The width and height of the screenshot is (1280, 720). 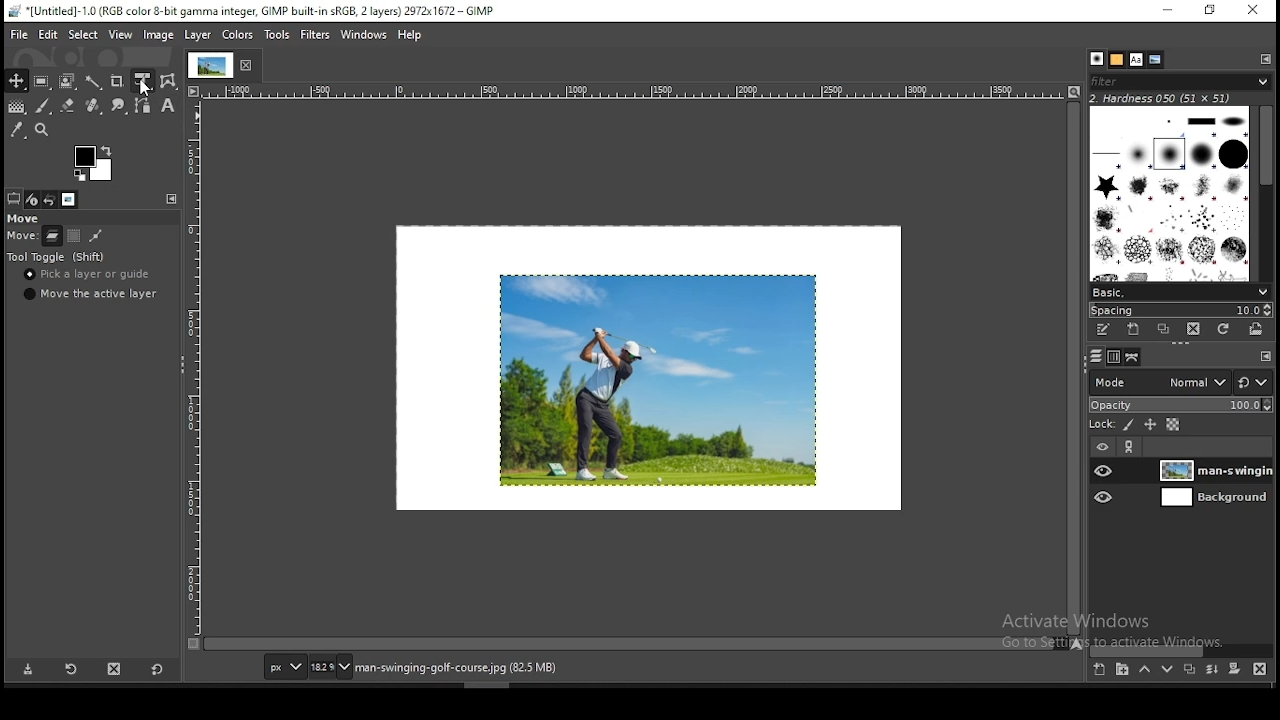 What do you see at coordinates (1256, 329) in the screenshot?
I see `open brush as image` at bounding box center [1256, 329].